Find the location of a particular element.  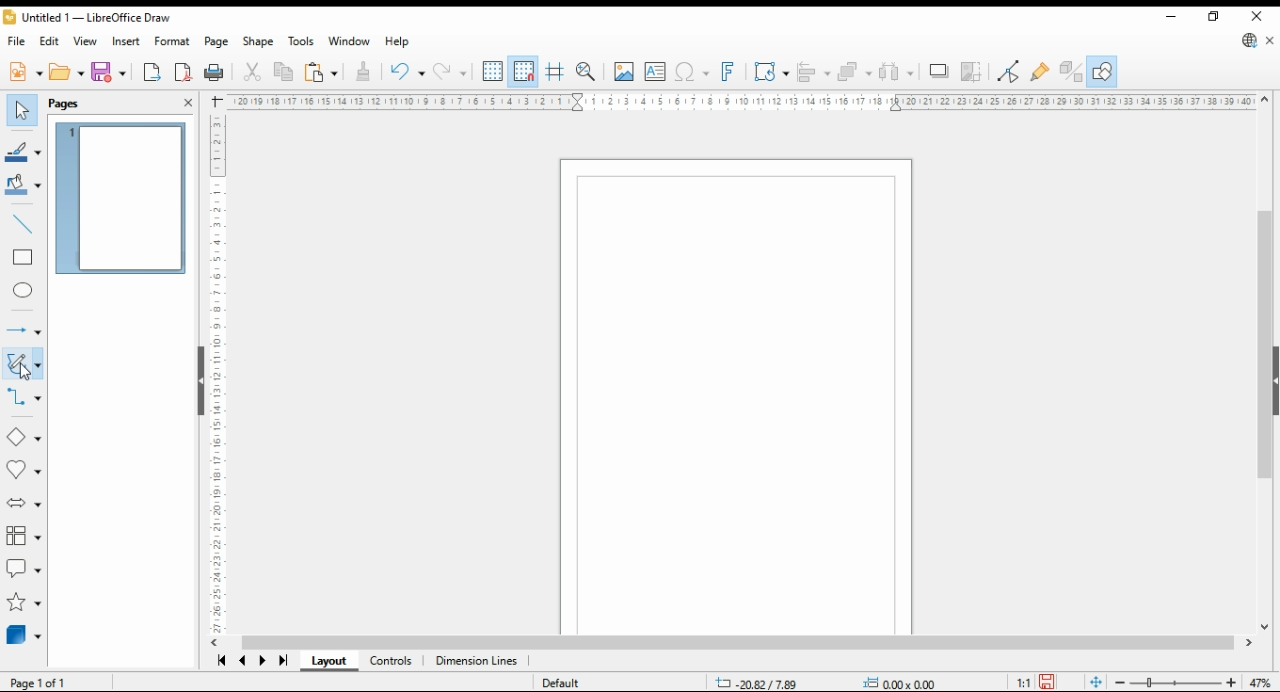

-20.82/7.89 is located at coordinates (758, 684).